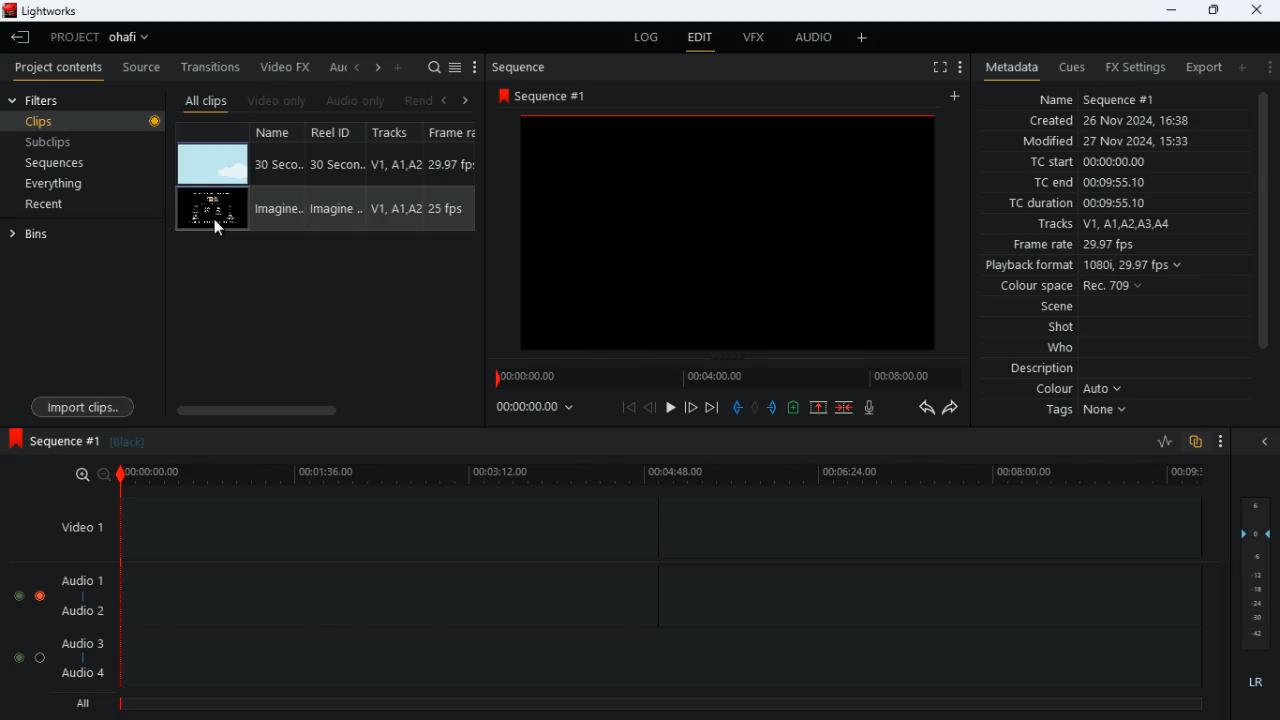  Describe the element at coordinates (817, 408) in the screenshot. I see `up` at that location.